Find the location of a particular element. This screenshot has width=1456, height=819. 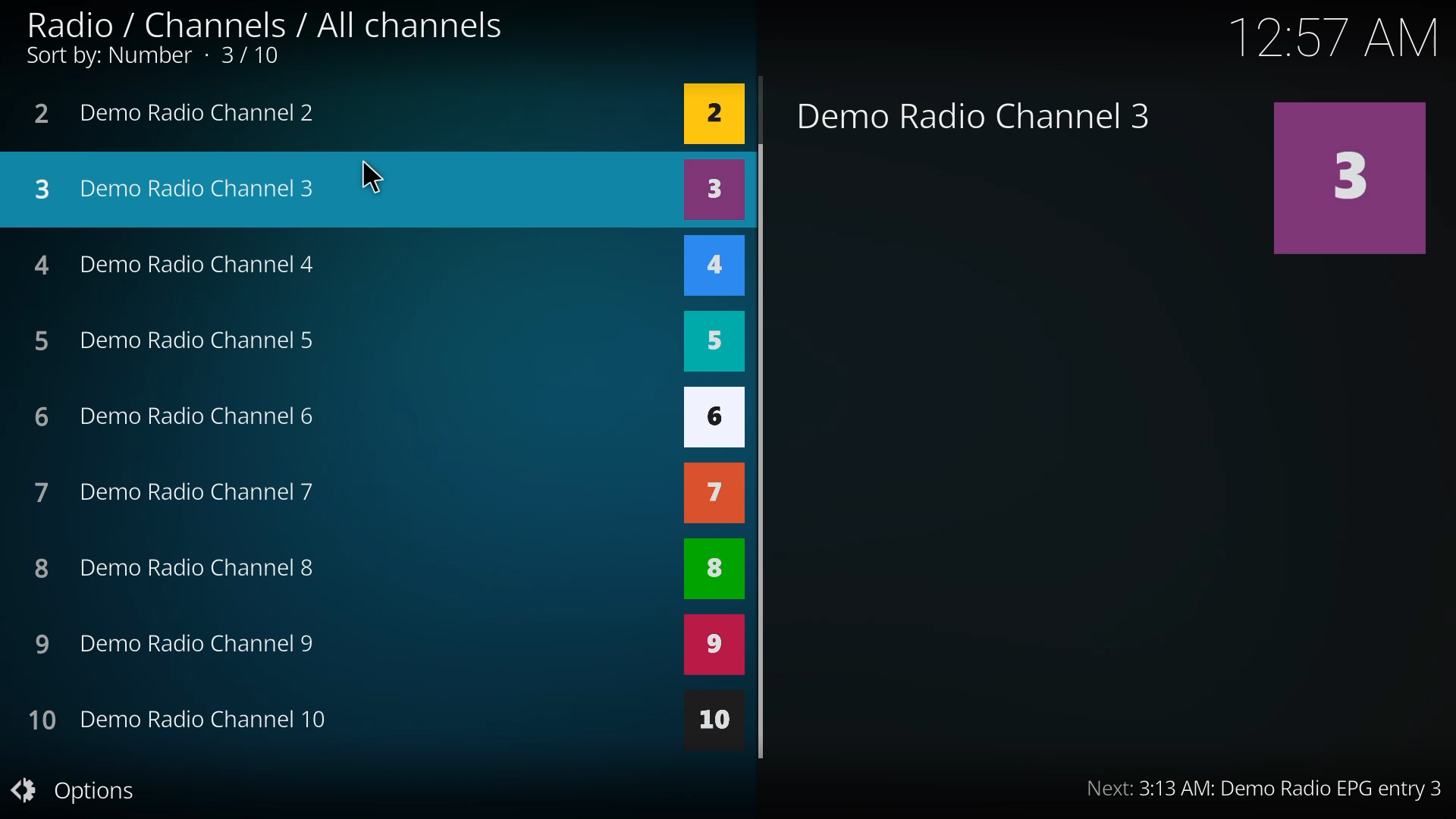

8 is located at coordinates (711, 570).